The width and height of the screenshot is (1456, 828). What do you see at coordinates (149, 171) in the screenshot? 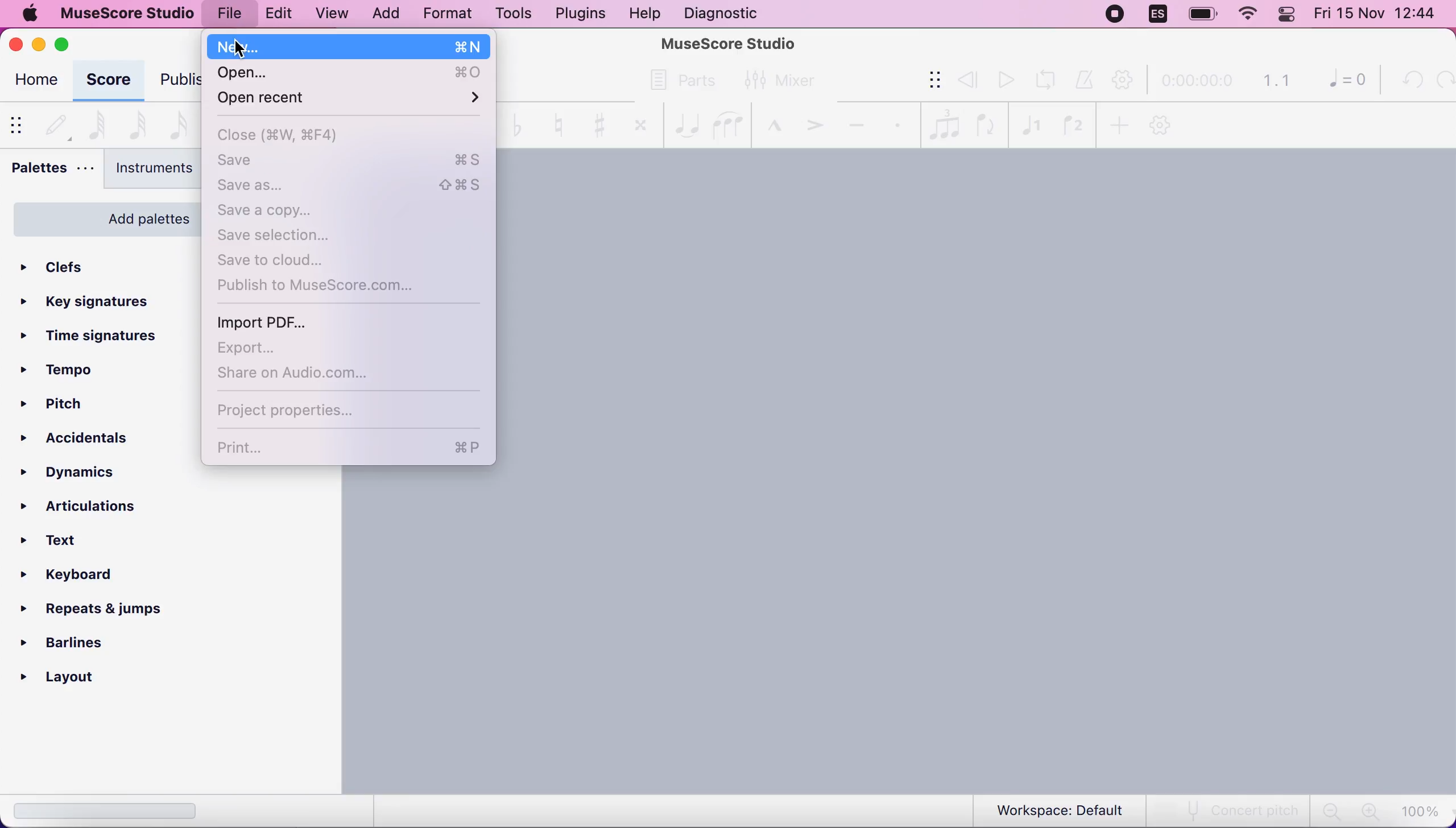
I see `instruments` at bounding box center [149, 171].